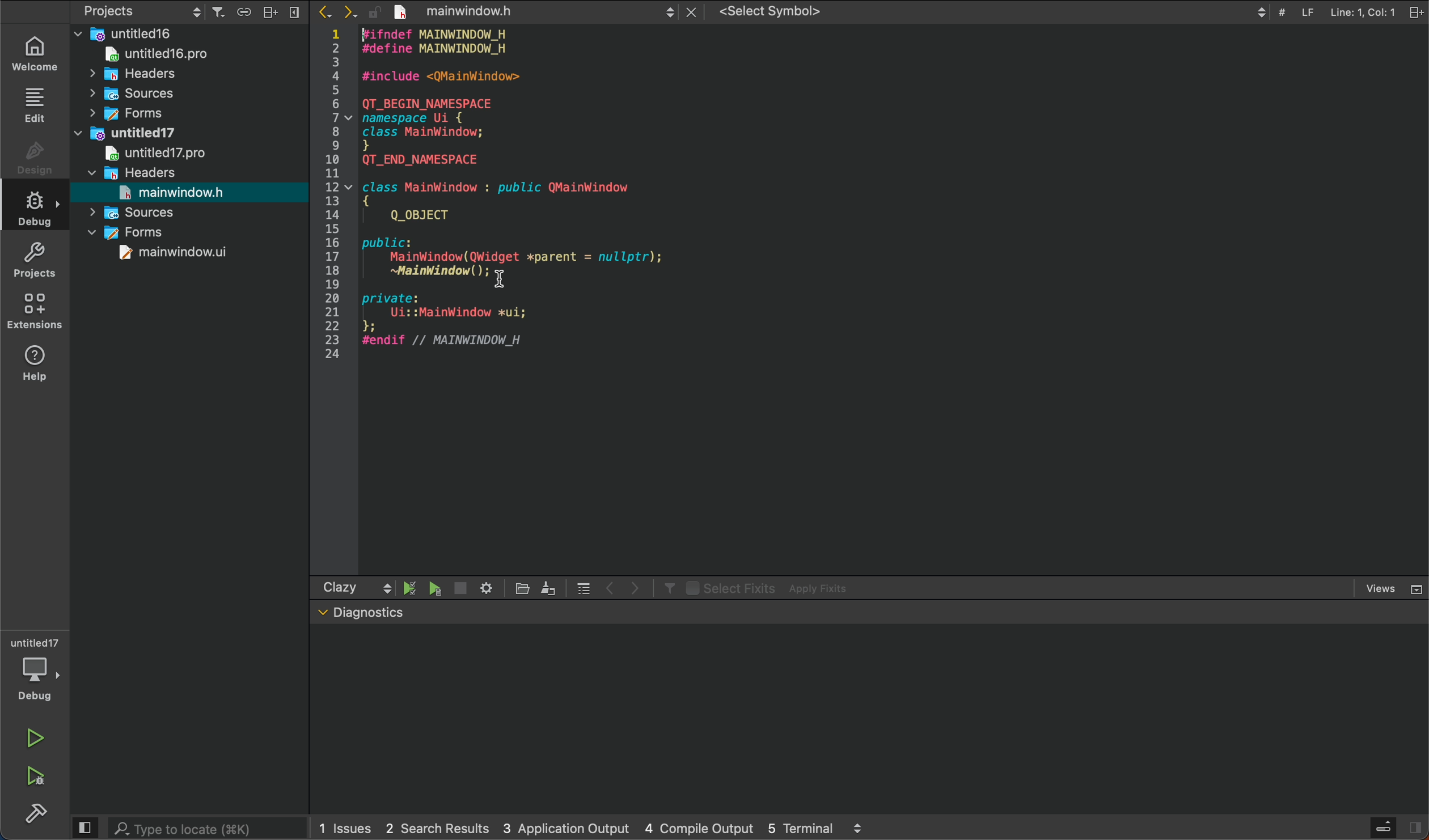 This screenshot has width=1429, height=840. What do you see at coordinates (564, 826) in the screenshot?
I see `3 Application Output` at bounding box center [564, 826].